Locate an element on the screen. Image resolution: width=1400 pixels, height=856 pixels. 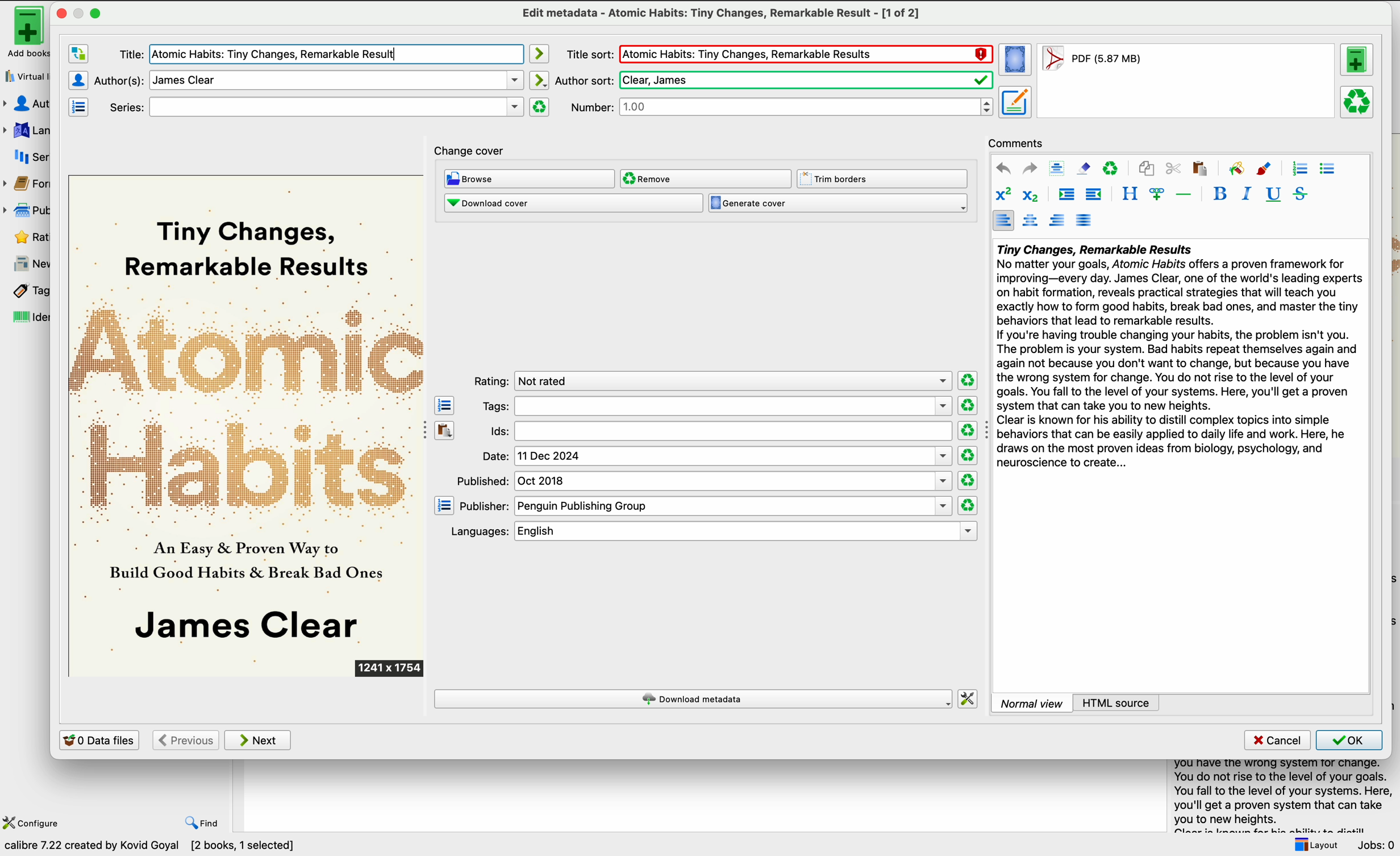
open the tag editor is located at coordinates (444, 405).